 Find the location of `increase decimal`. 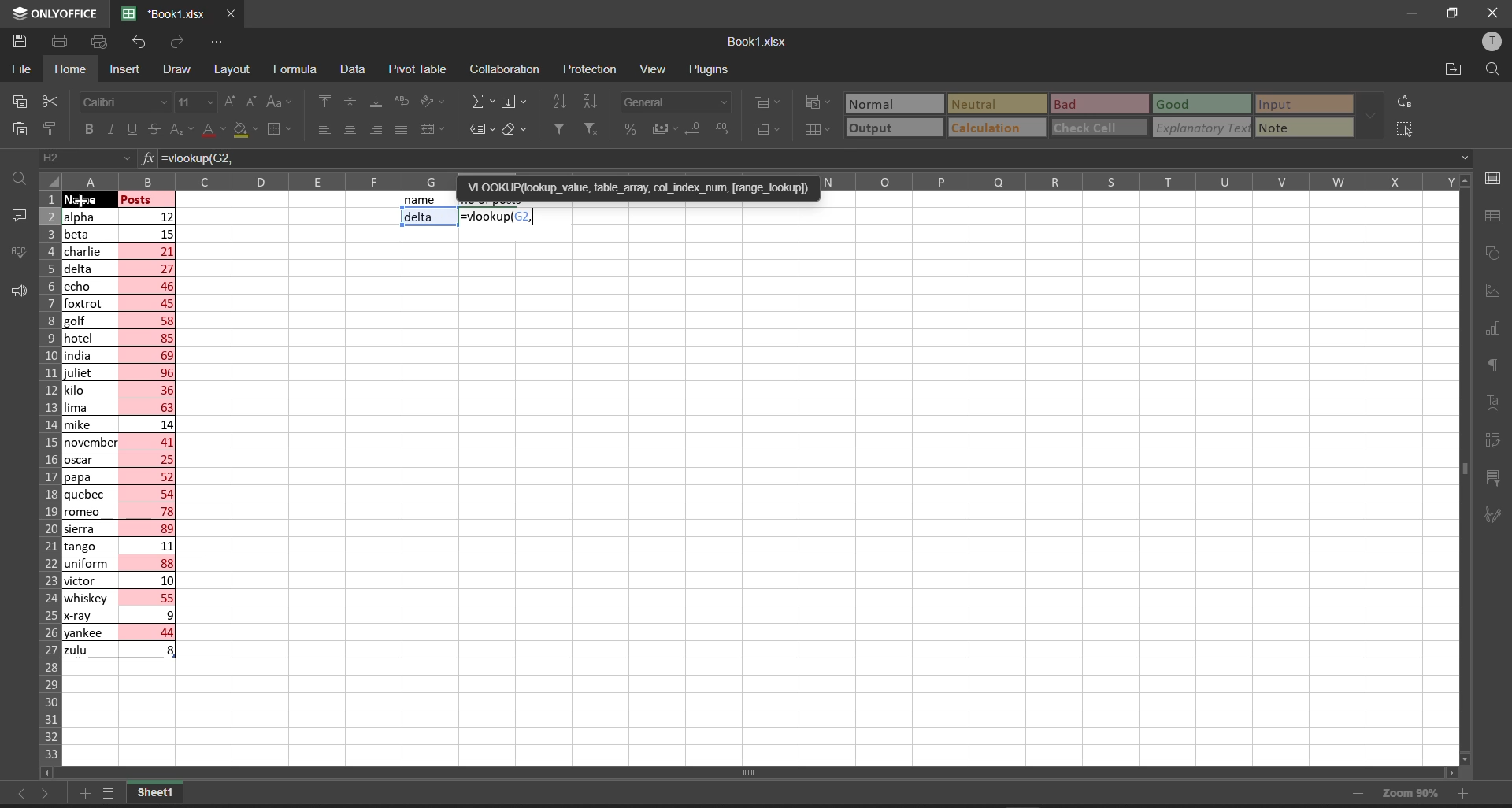

increase decimal is located at coordinates (724, 131).